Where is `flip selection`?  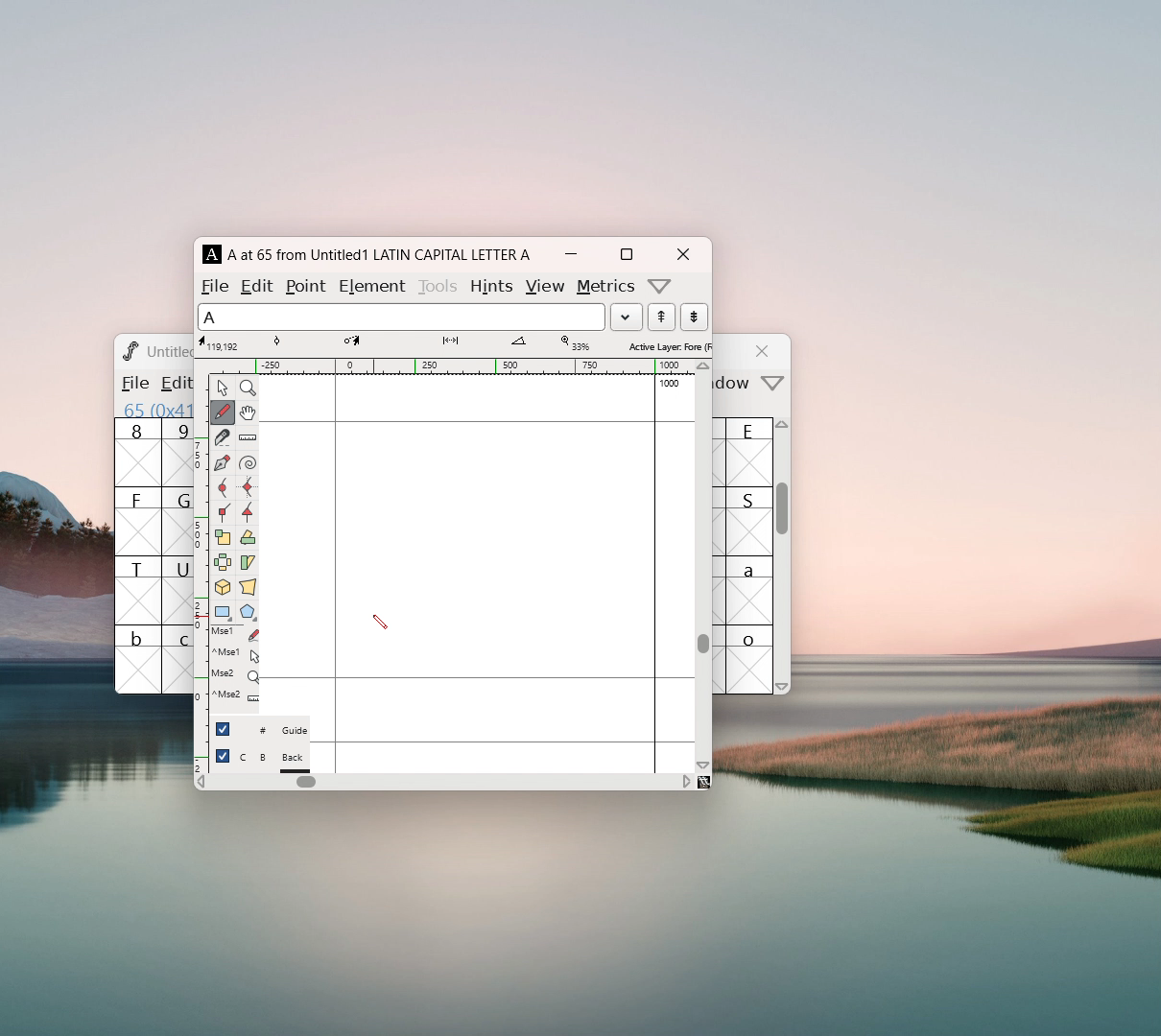
flip selection is located at coordinates (223, 565).